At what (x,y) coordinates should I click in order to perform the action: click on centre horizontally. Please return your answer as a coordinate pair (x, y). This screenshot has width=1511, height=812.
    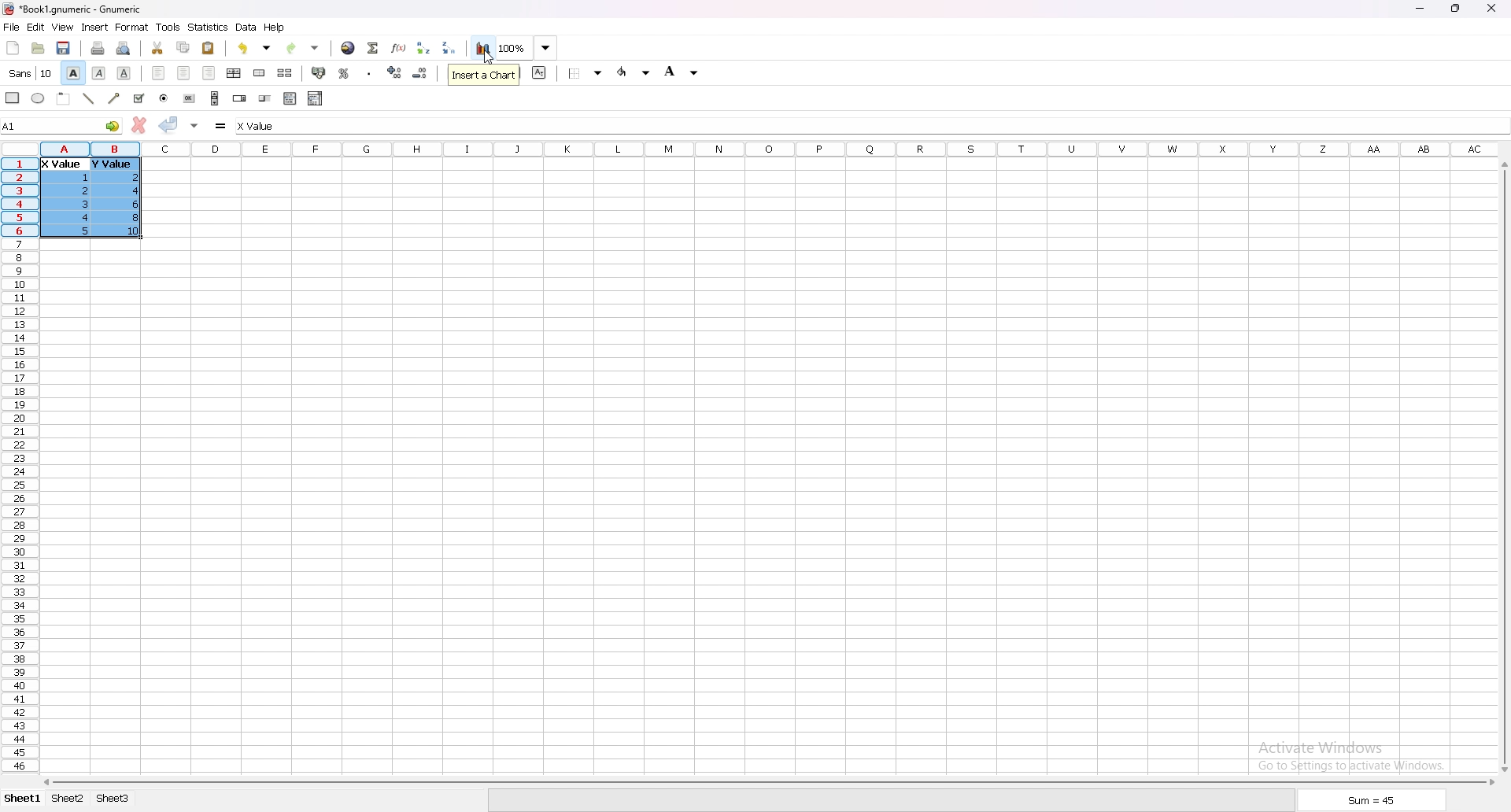
    Looking at the image, I should click on (235, 72).